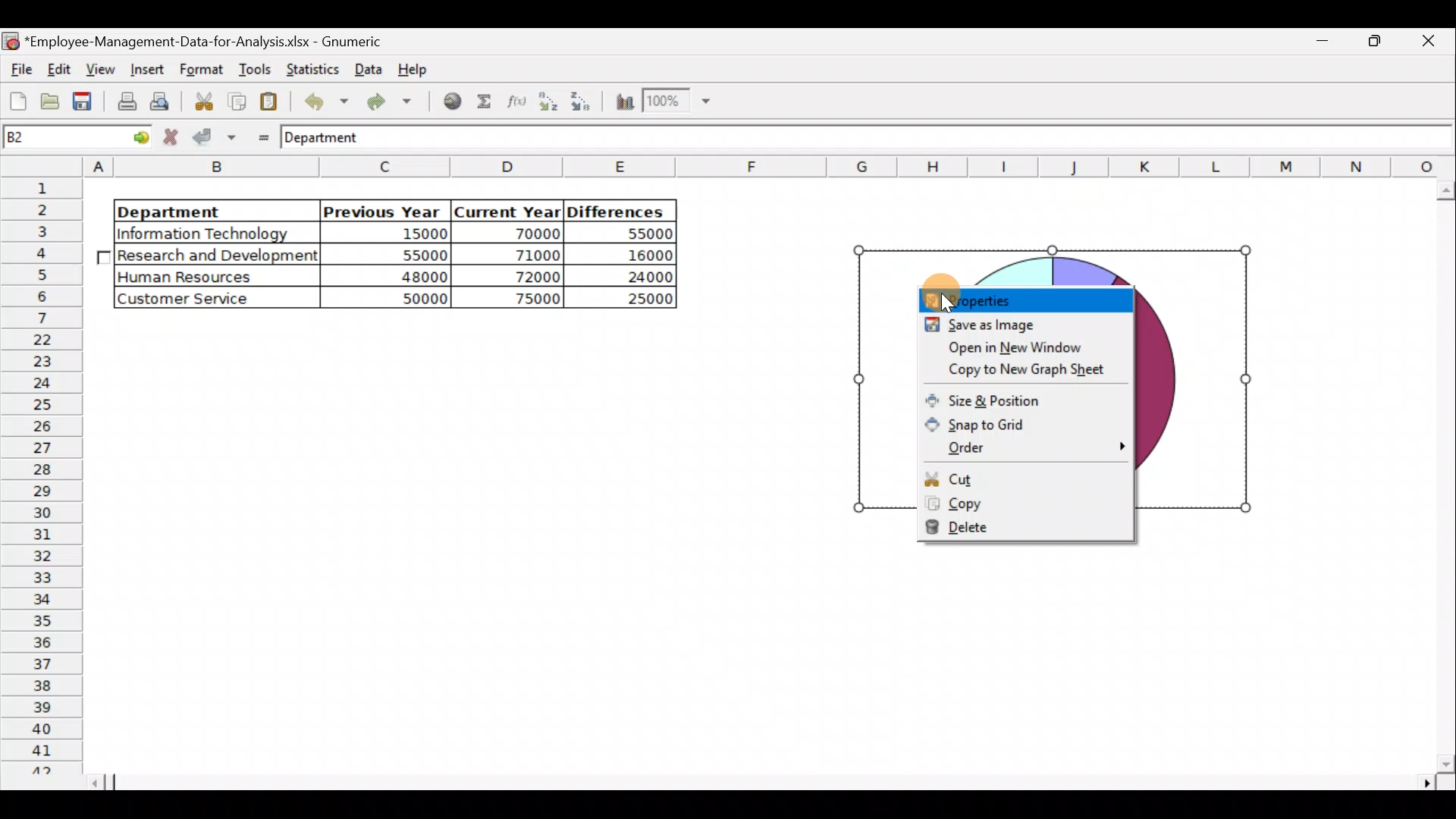 This screenshot has height=819, width=1456. I want to click on Cursor on properties, so click(937, 293).